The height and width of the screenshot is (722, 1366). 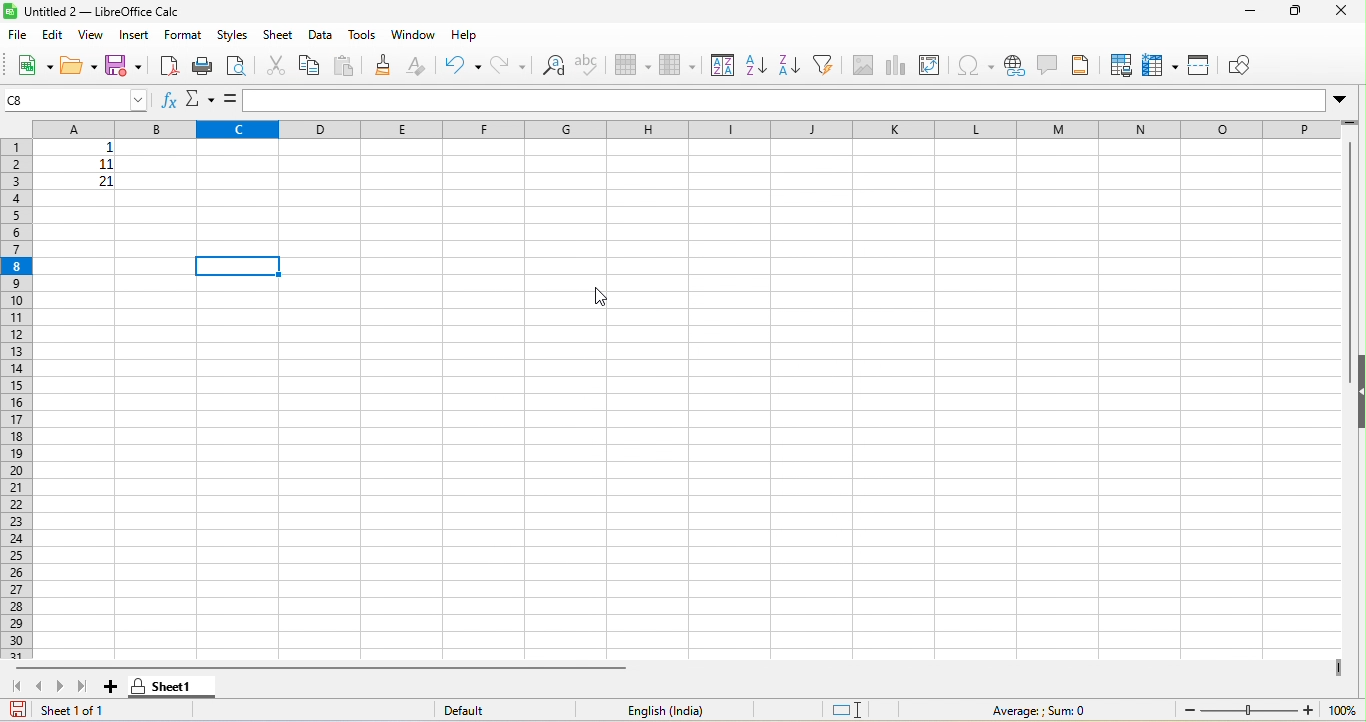 I want to click on zoom, so click(x=1270, y=711).